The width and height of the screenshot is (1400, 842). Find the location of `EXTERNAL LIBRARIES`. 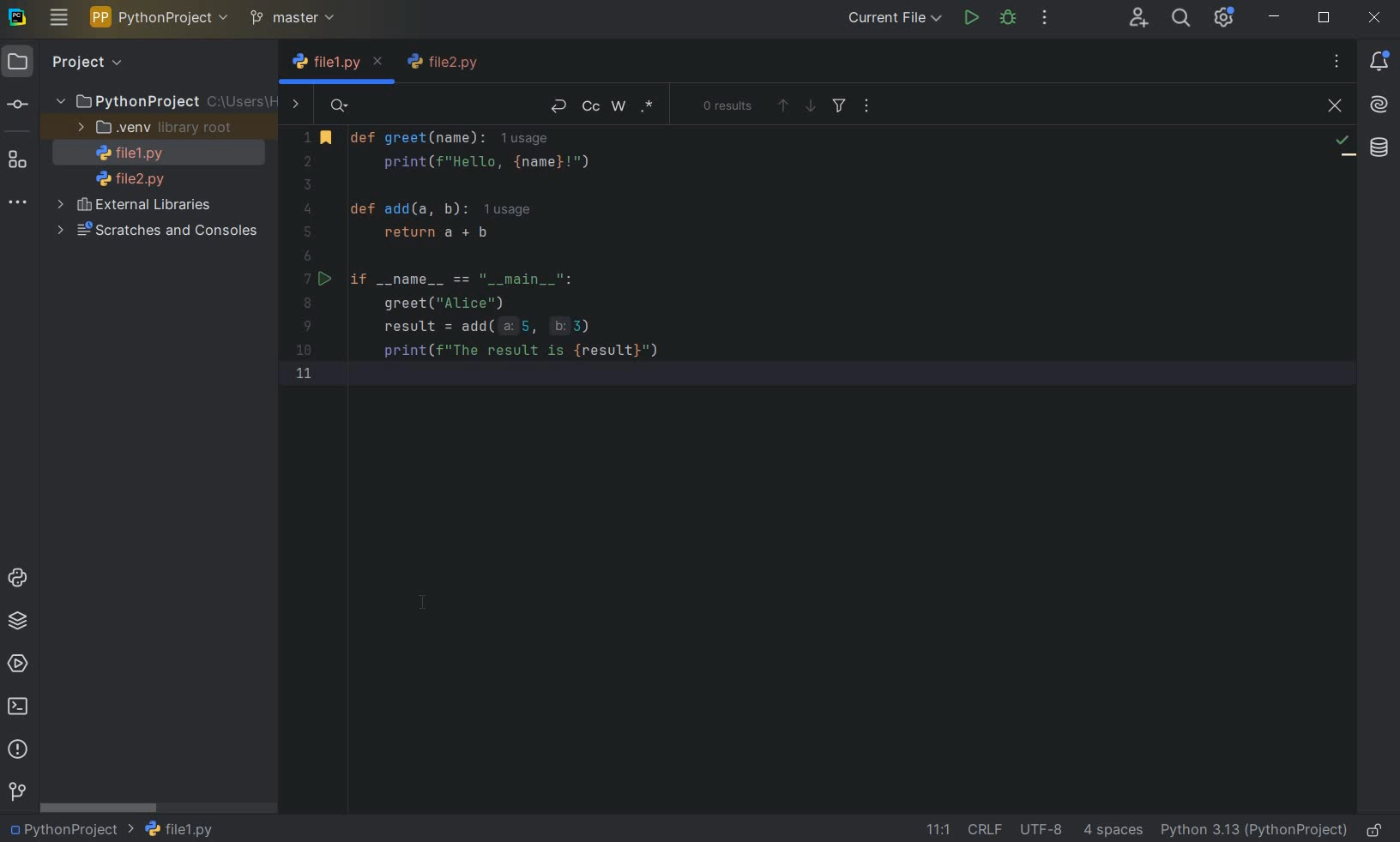

EXTERNAL LIBRARIES is located at coordinates (141, 207).